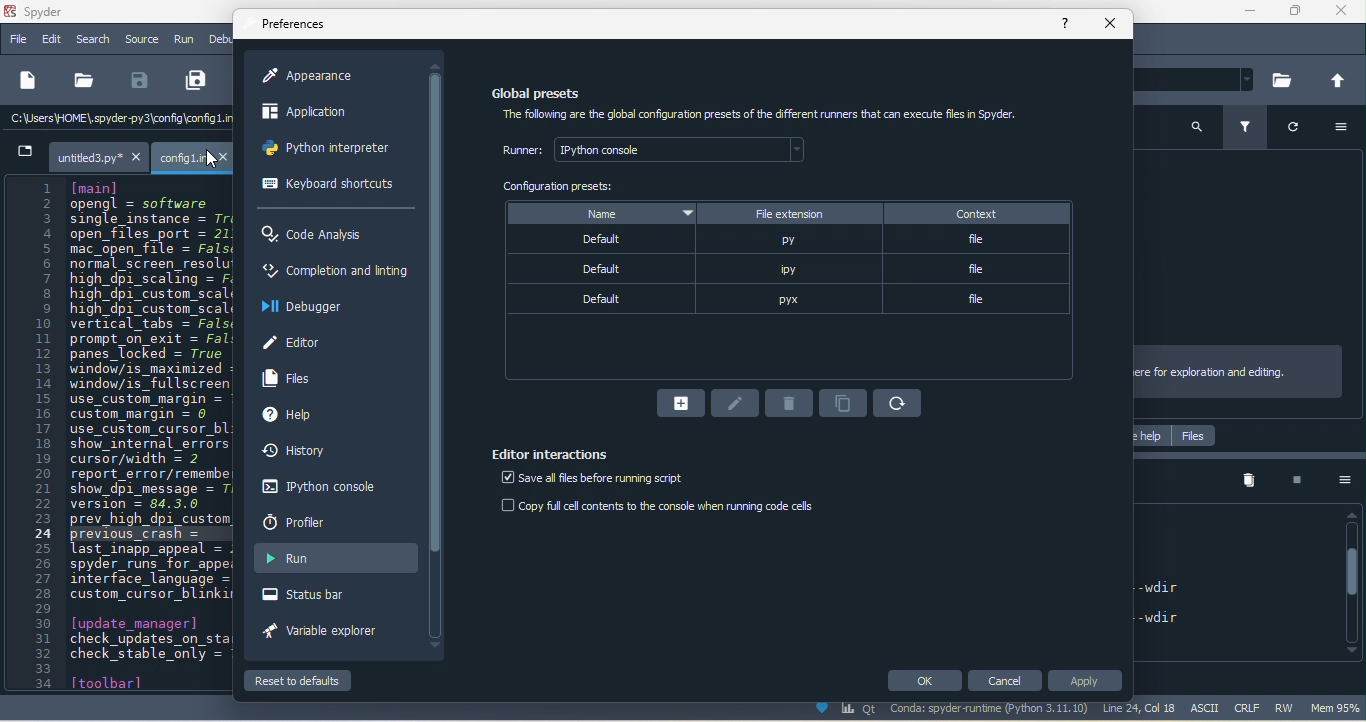  Describe the element at coordinates (92, 39) in the screenshot. I see `` at that location.